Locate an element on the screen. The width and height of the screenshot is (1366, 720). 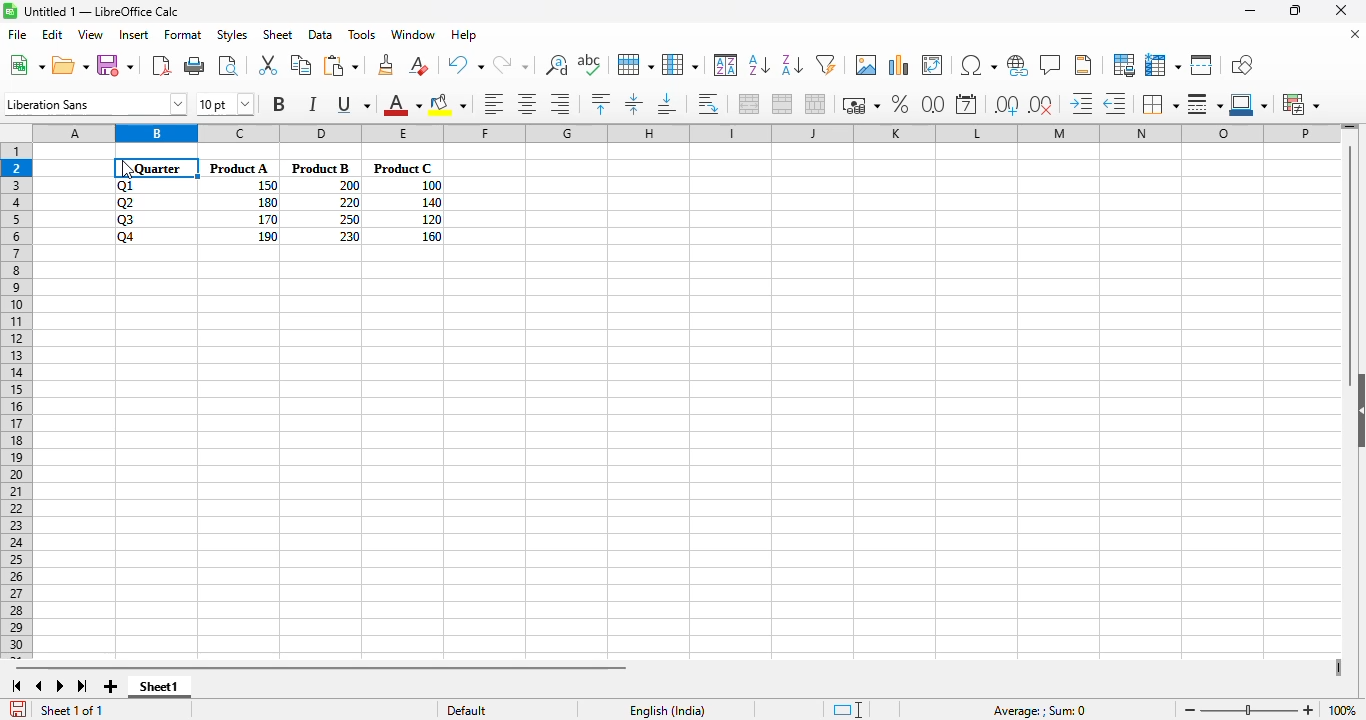
close is located at coordinates (1340, 10).